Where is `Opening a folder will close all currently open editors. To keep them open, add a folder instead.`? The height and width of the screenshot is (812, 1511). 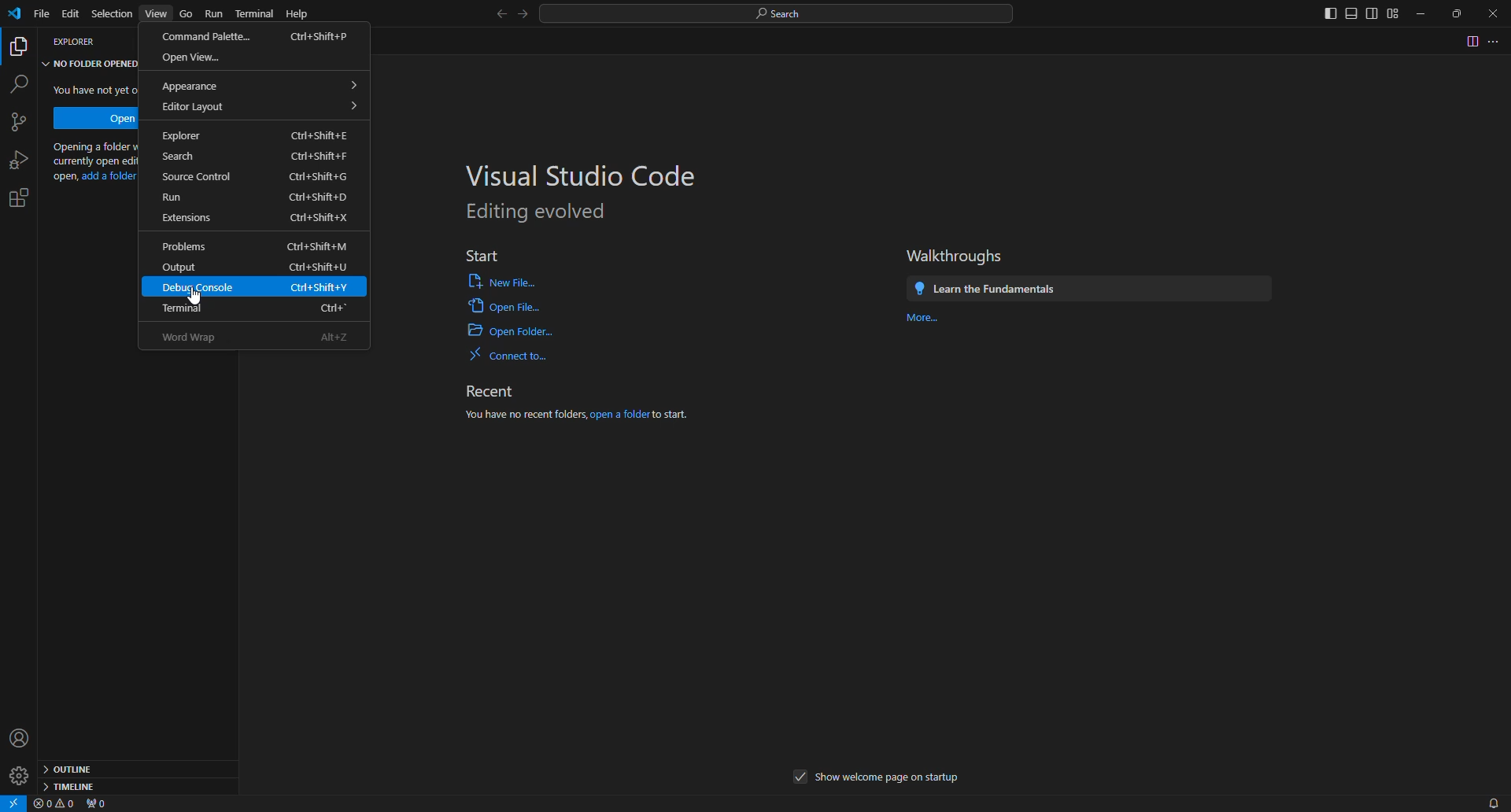 Opening a folder will close all currently open editors. To keep them open, add a folder instead. is located at coordinates (94, 162).